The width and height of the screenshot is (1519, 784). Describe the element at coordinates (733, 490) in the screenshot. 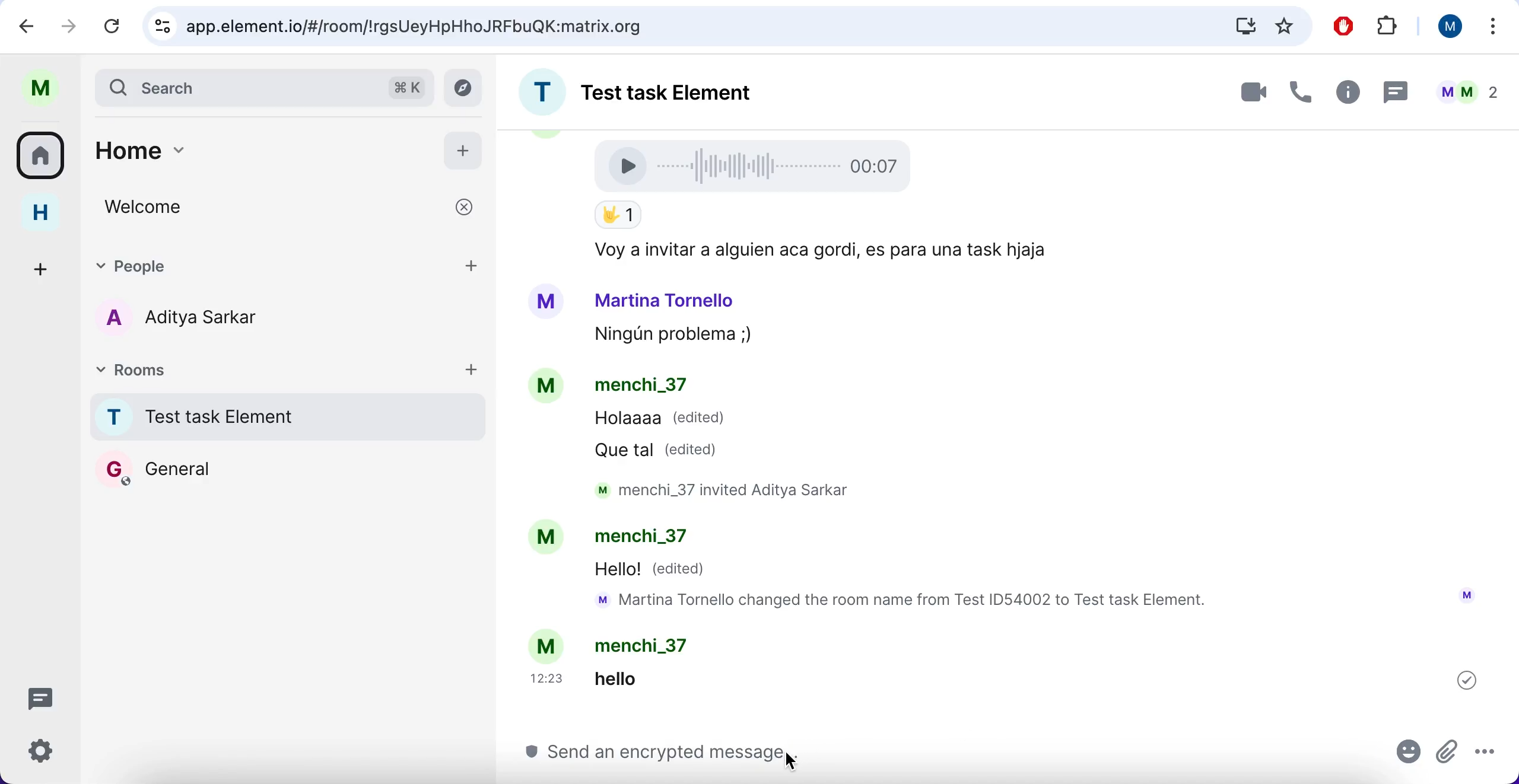

I see `M menchi_3/ Invited Aditya Sarkar` at that location.